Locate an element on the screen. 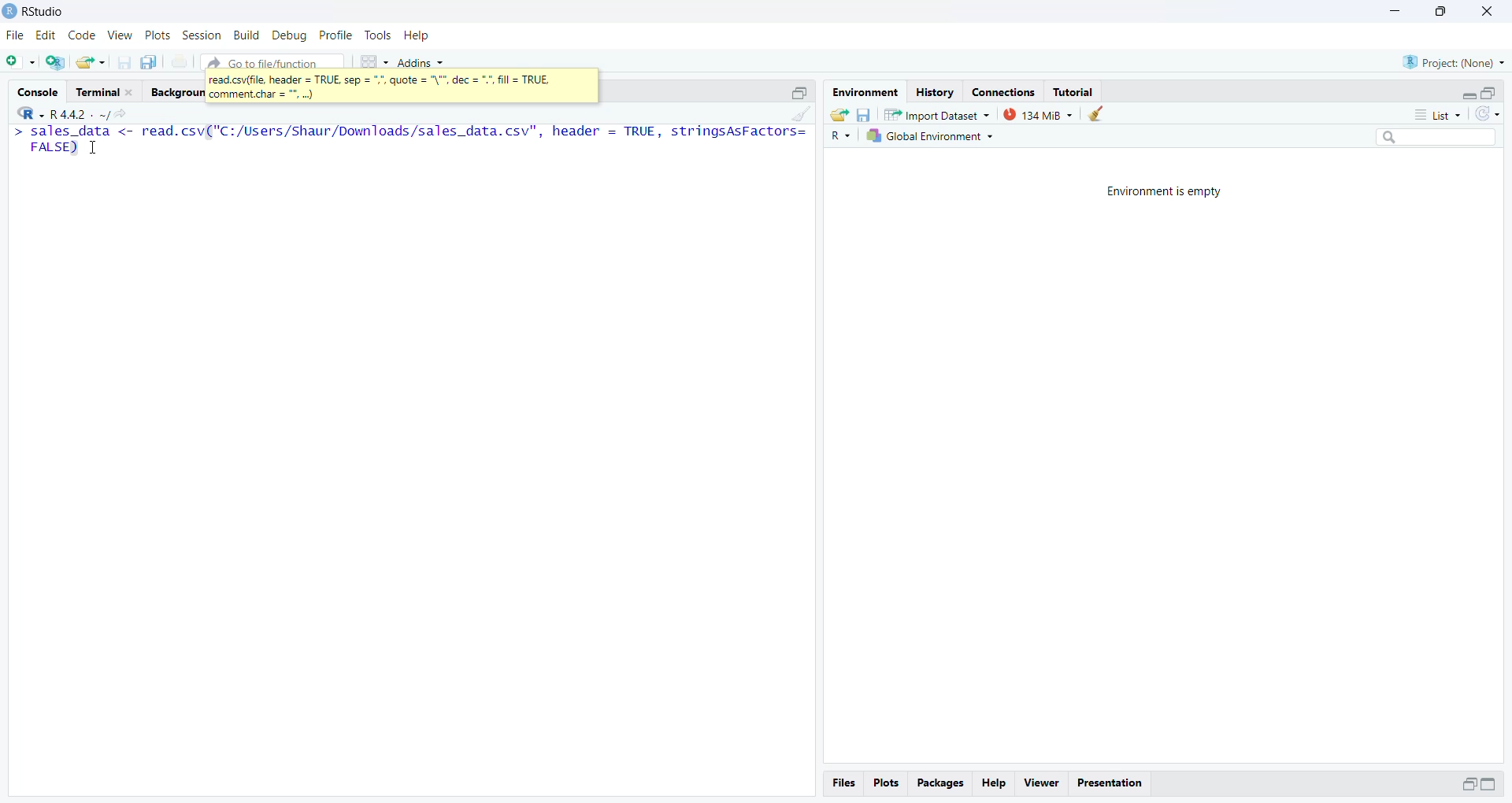  Search is located at coordinates (1435, 139).